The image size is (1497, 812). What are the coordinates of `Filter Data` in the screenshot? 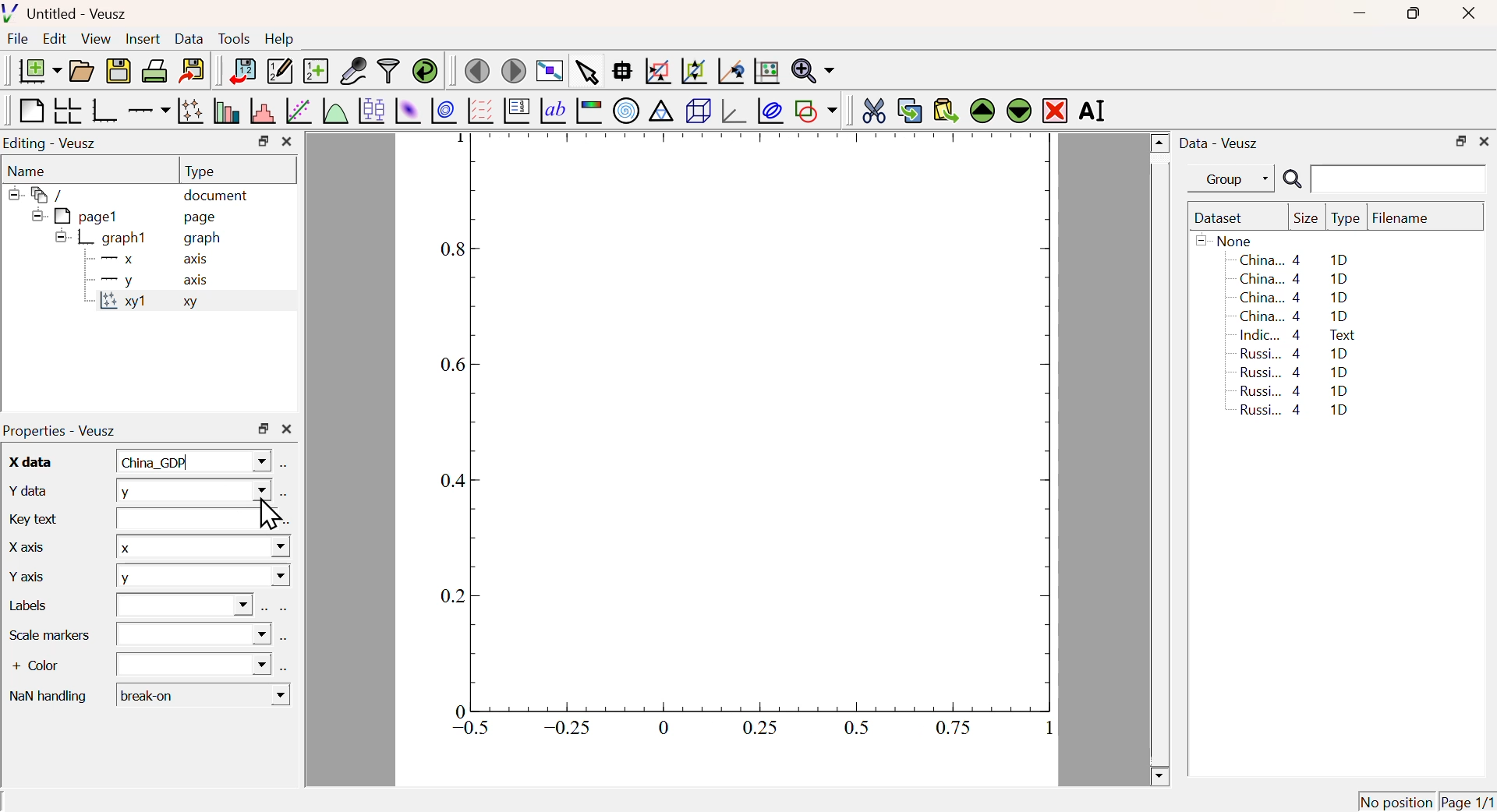 It's located at (388, 69).